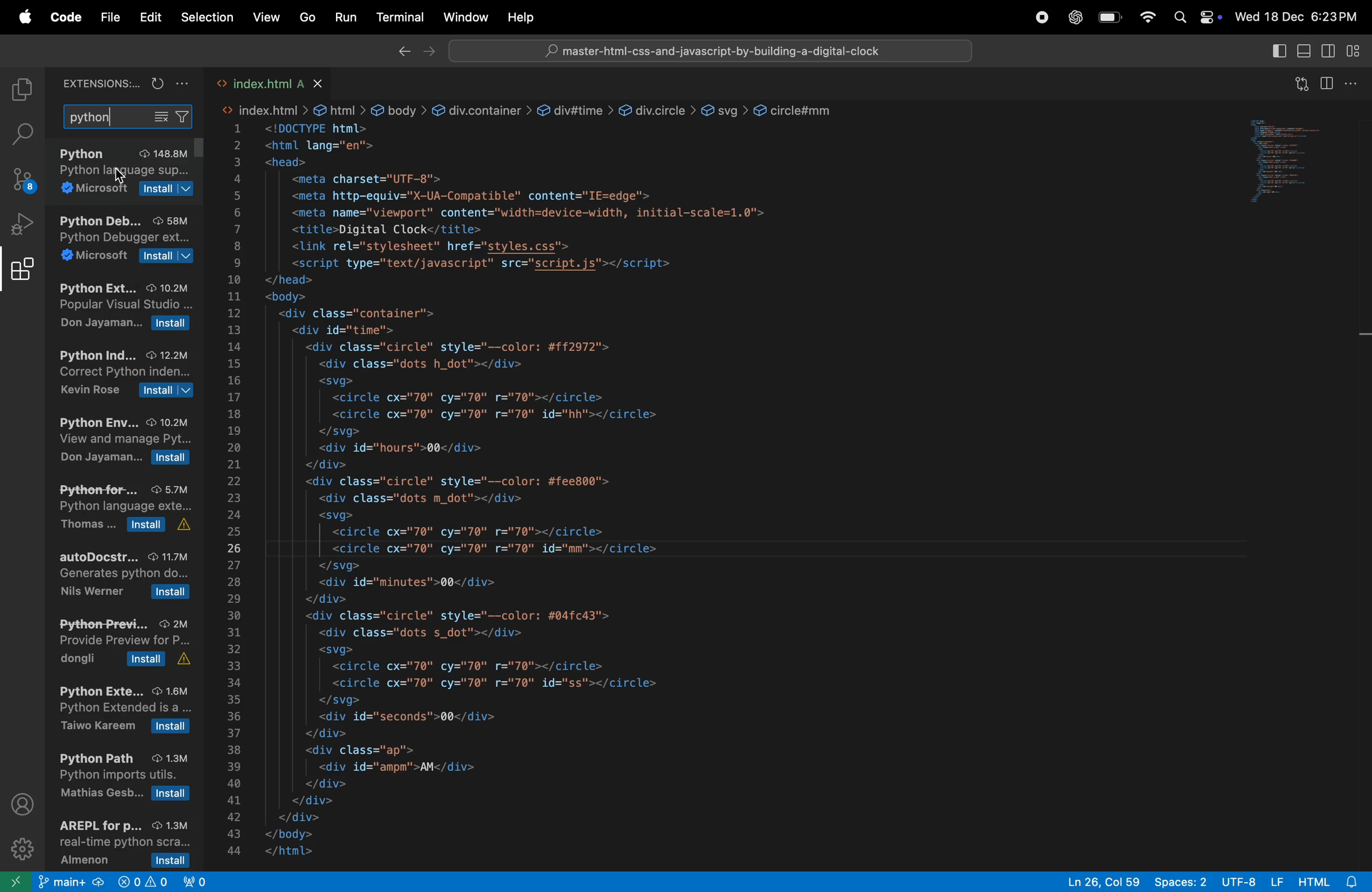  Describe the element at coordinates (1301, 16) in the screenshot. I see `date and time` at that location.